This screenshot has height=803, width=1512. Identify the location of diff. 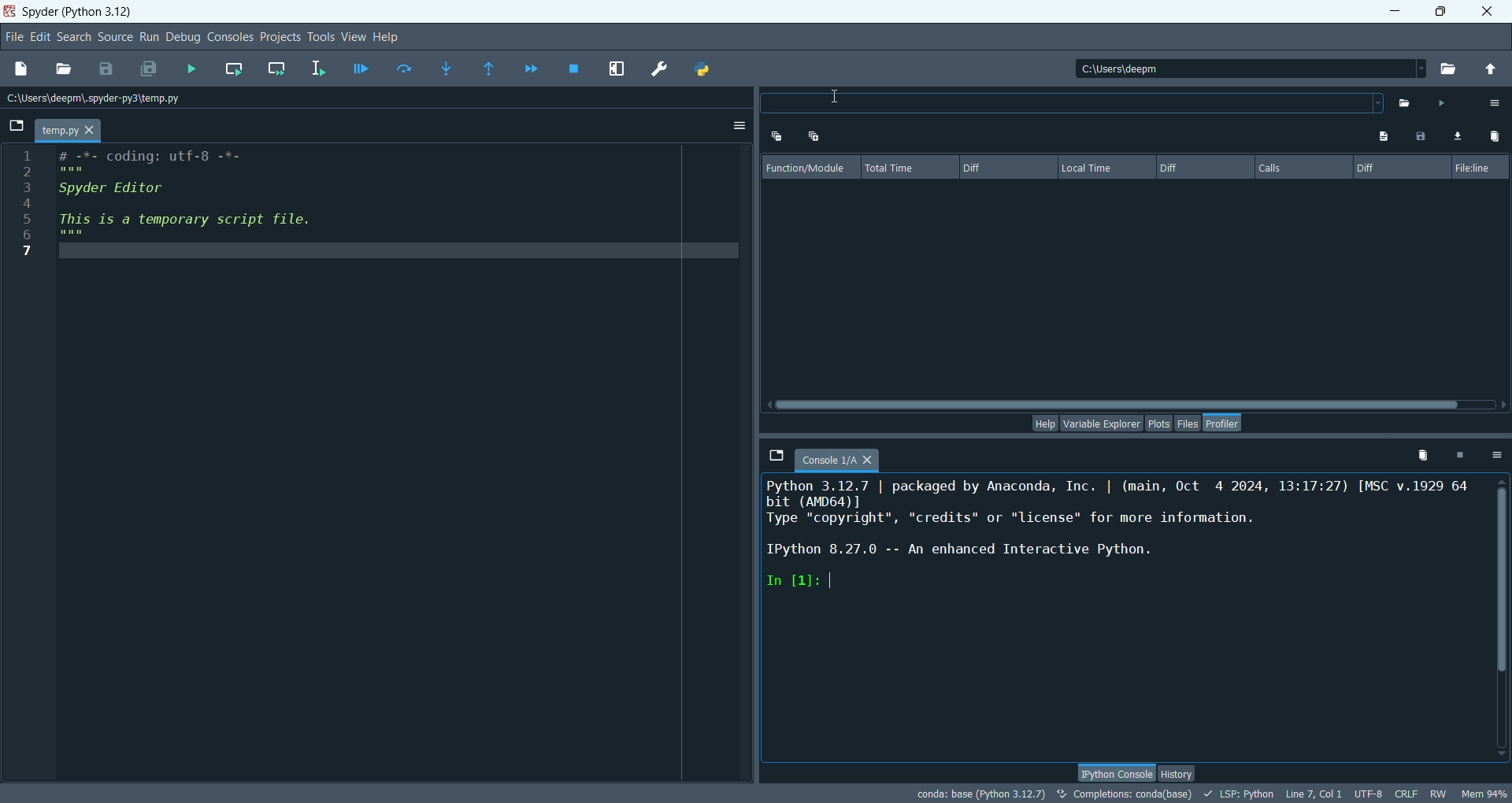
(1401, 167).